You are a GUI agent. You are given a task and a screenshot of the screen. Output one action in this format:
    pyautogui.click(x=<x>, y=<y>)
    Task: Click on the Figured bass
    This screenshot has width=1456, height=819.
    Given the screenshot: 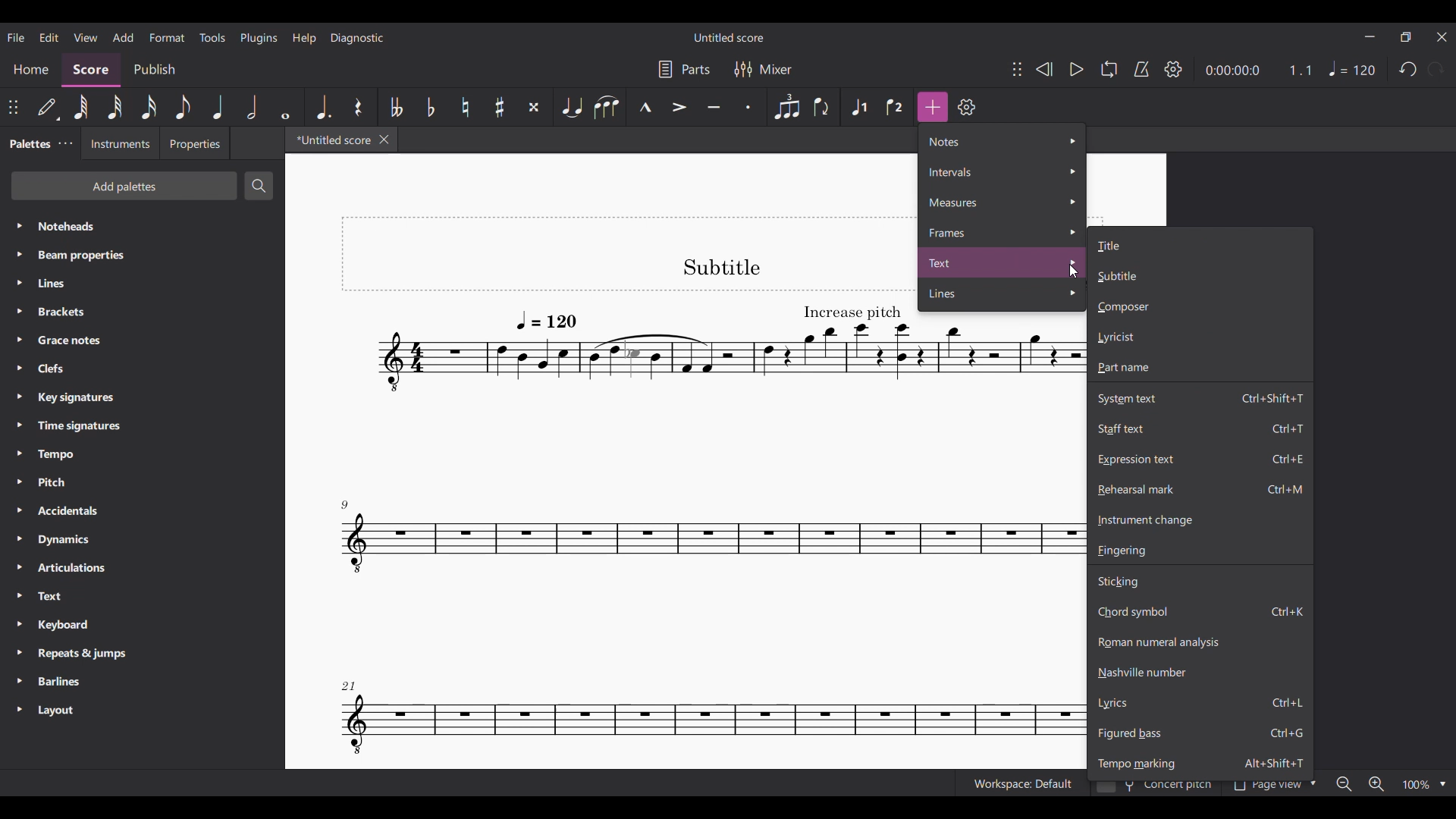 What is the action you would take?
    pyautogui.click(x=1200, y=733)
    